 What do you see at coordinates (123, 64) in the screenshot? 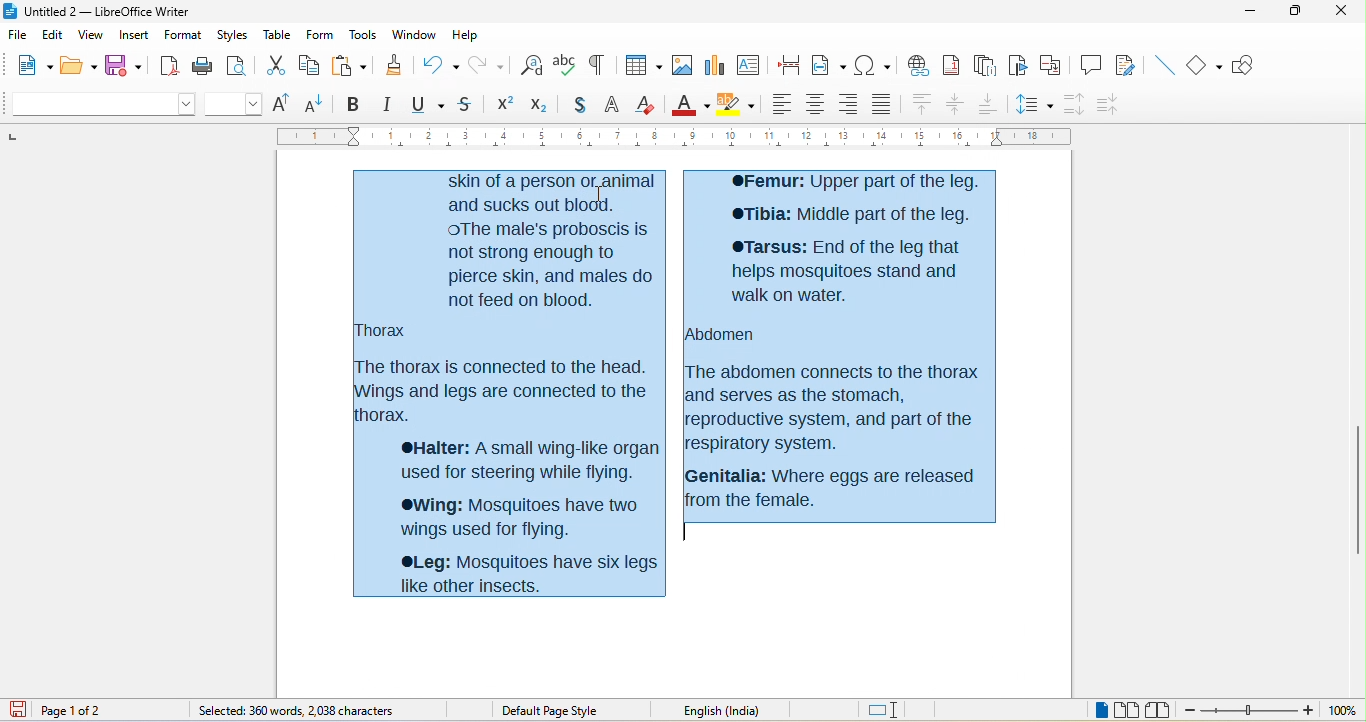
I see `save` at bounding box center [123, 64].